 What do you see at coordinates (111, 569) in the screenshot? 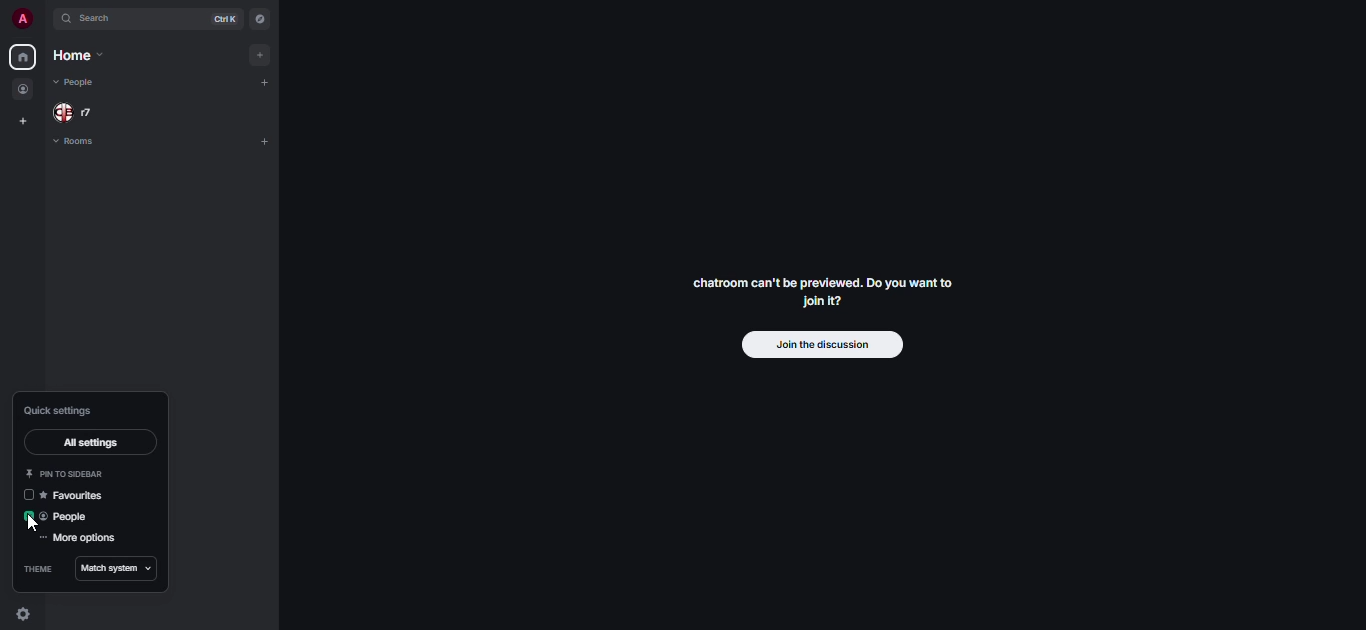
I see `match system` at bounding box center [111, 569].